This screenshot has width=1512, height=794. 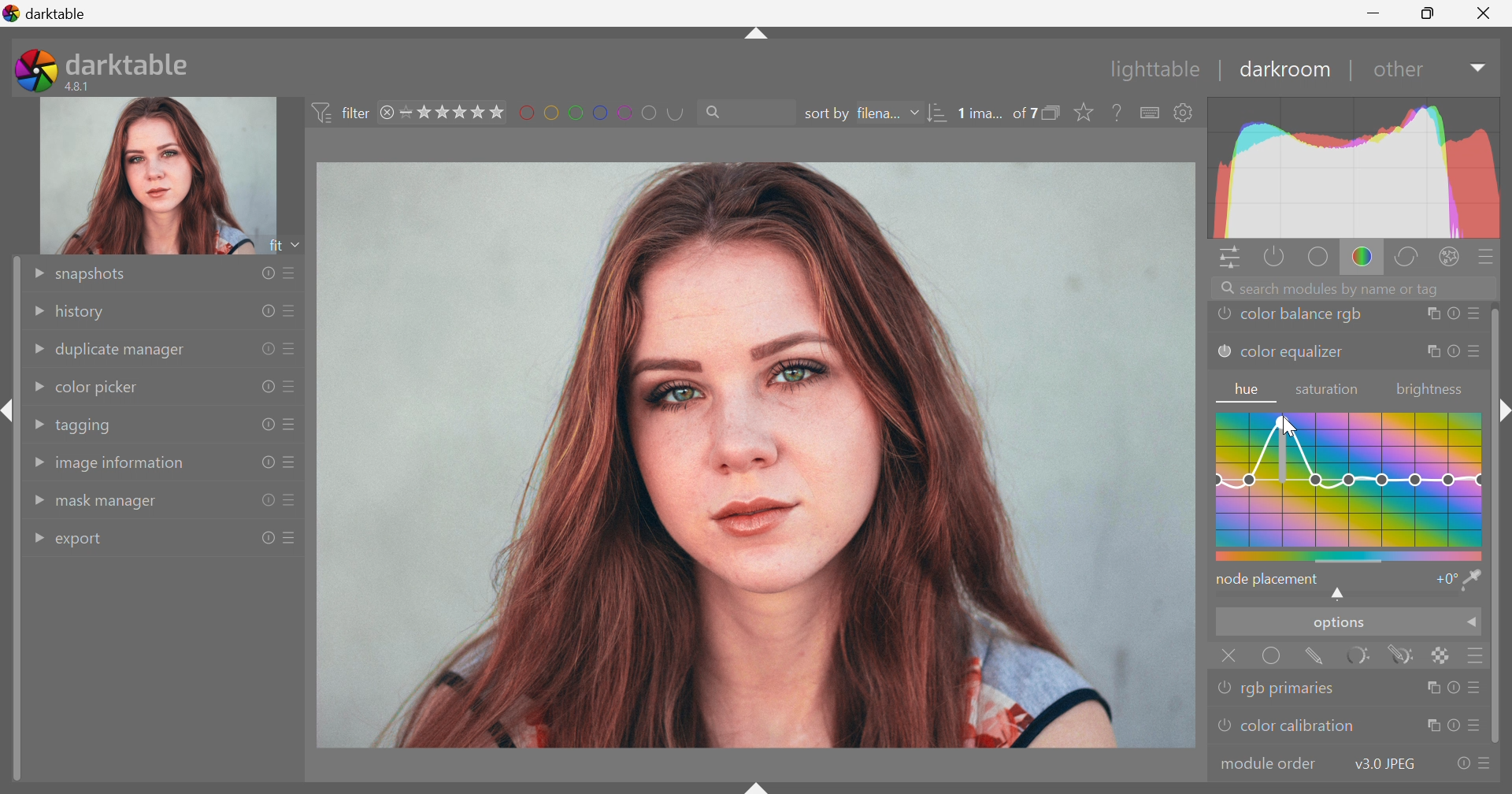 I want to click on Drop Down, so click(x=36, y=462).